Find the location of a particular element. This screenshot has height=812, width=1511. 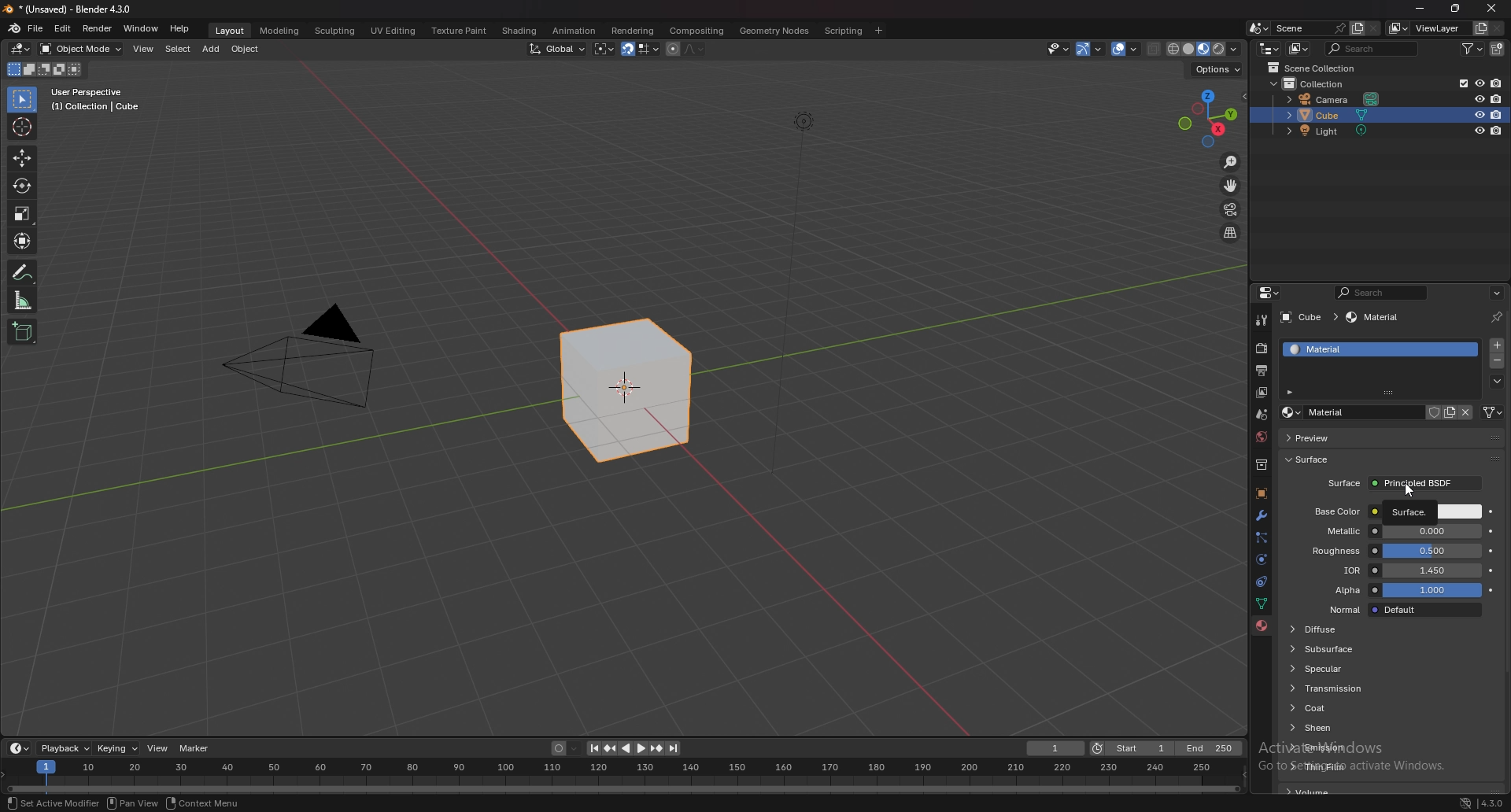

view layer is located at coordinates (1429, 28).